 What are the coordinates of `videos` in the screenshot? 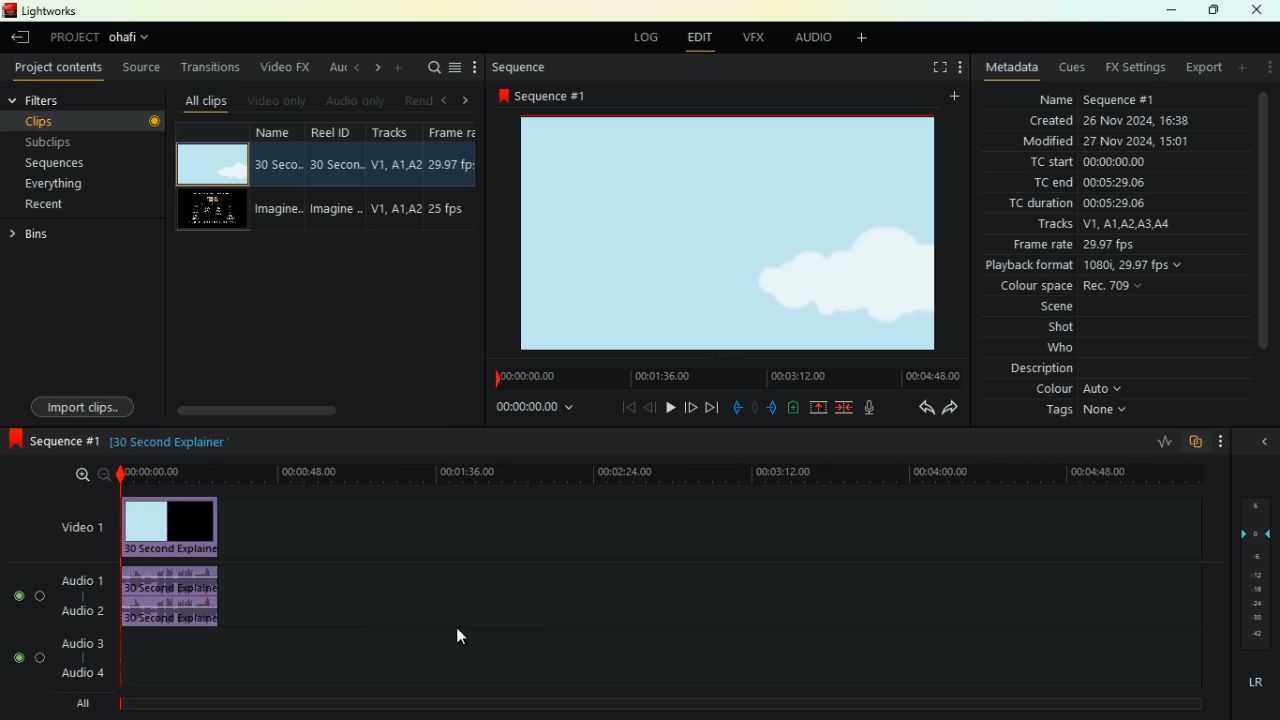 It's located at (215, 207).